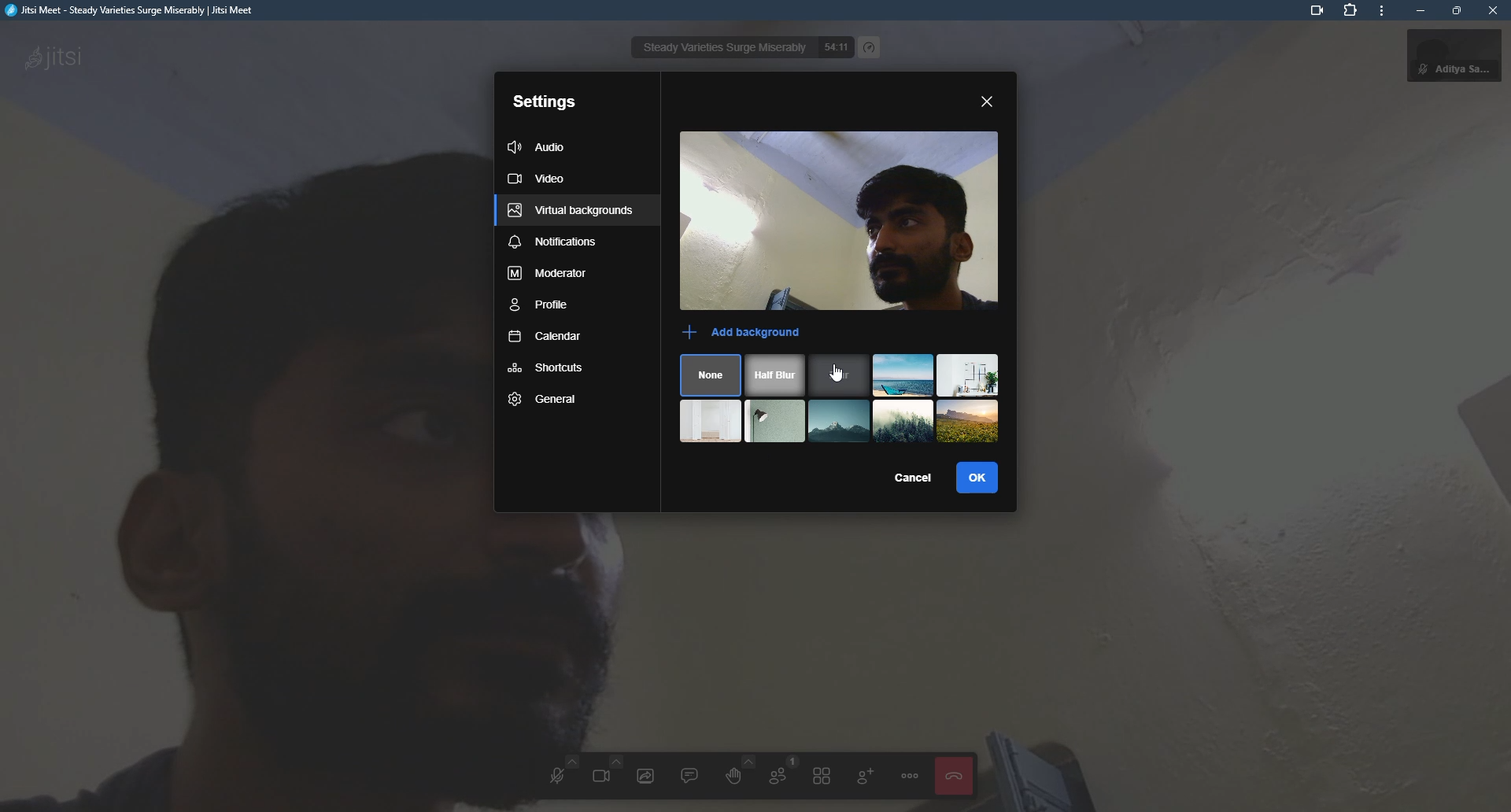  I want to click on close, so click(1492, 10).